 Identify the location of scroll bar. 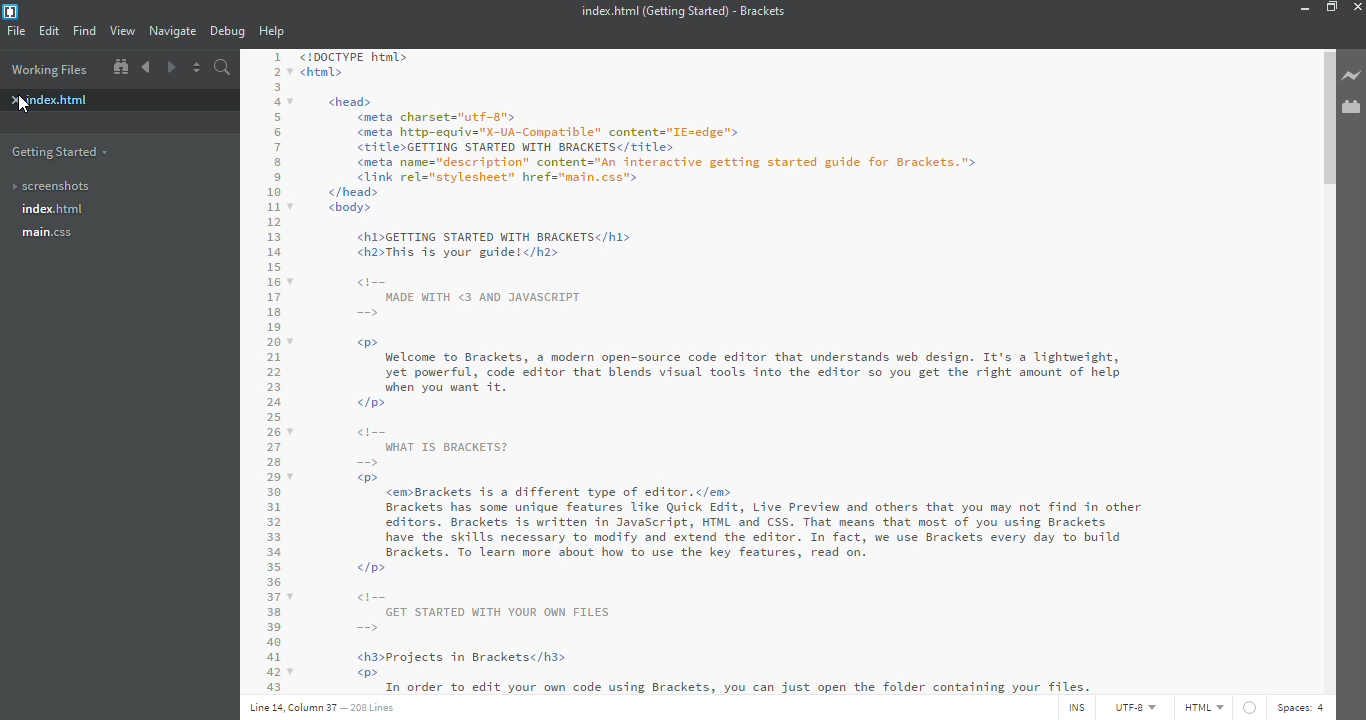
(1326, 118).